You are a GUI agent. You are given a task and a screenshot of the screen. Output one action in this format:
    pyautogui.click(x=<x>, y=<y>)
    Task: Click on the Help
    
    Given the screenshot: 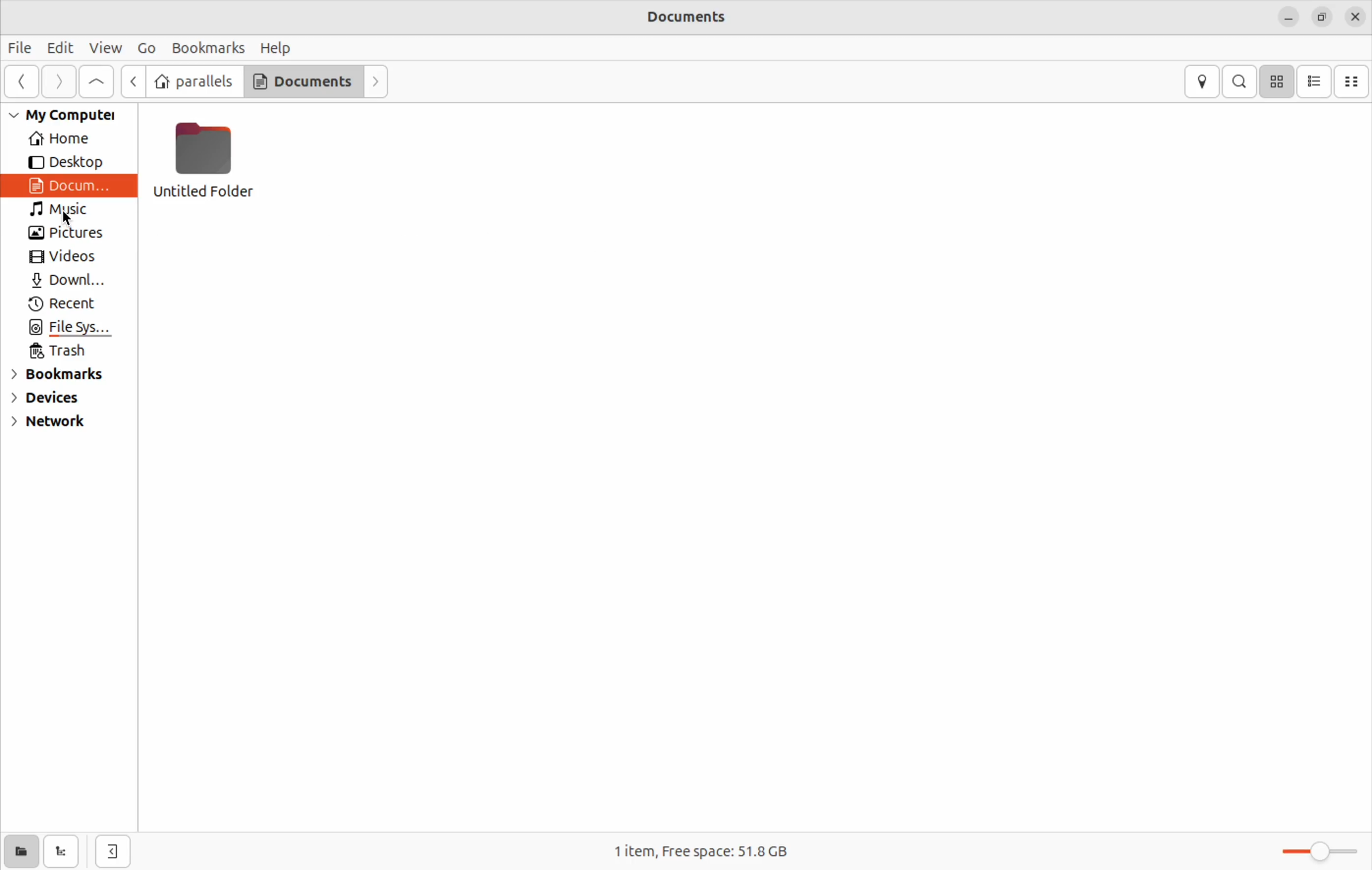 What is the action you would take?
    pyautogui.click(x=281, y=47)
    